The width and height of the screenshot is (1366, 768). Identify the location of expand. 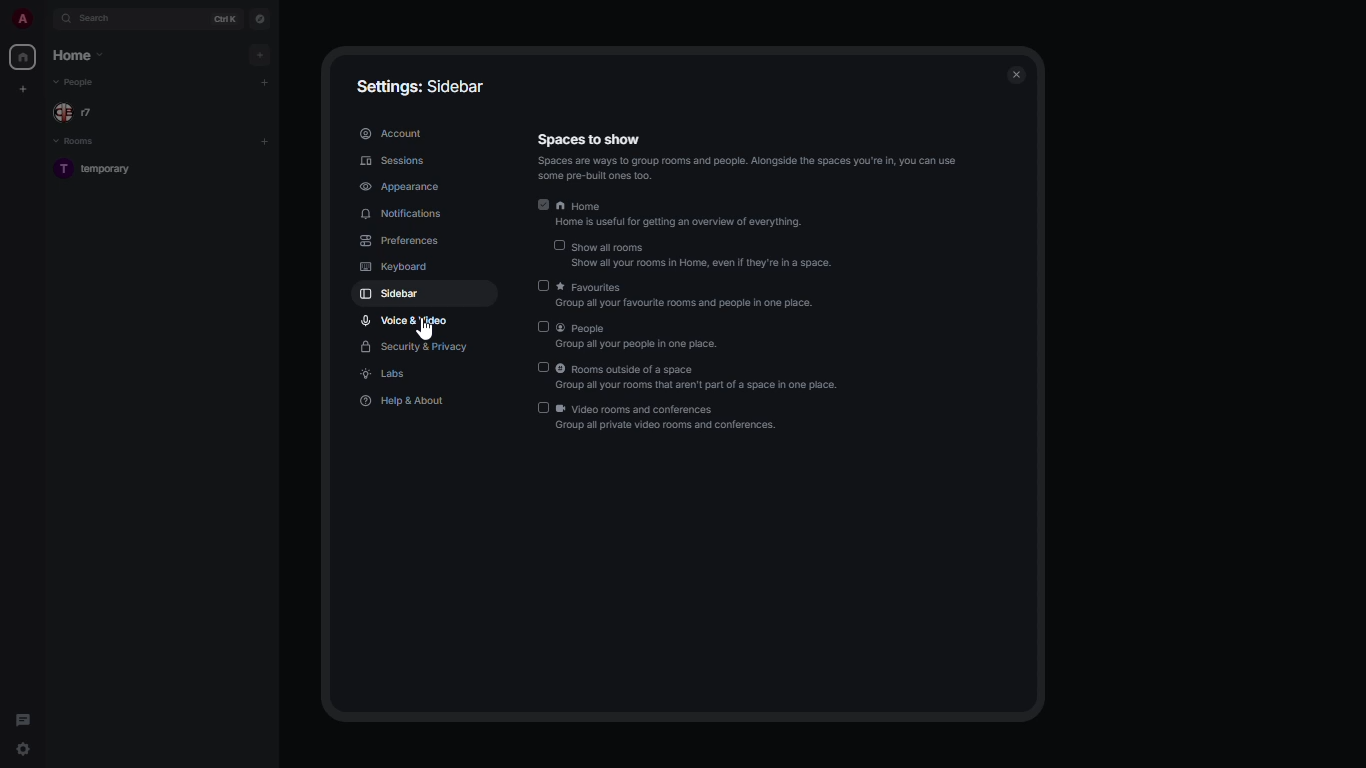
(45, 20).